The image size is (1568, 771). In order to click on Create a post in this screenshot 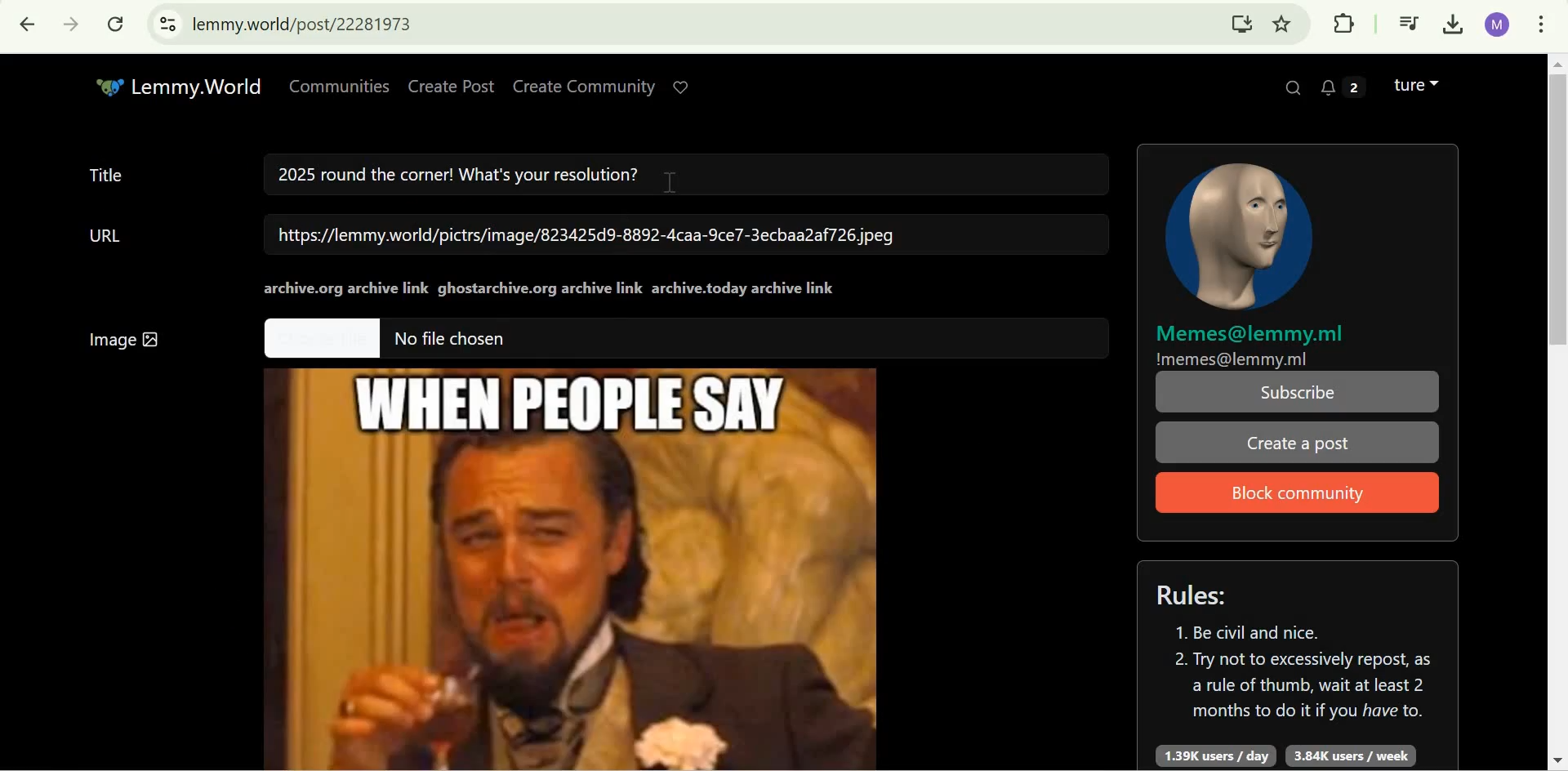, I will do `click(1295, 443)`.